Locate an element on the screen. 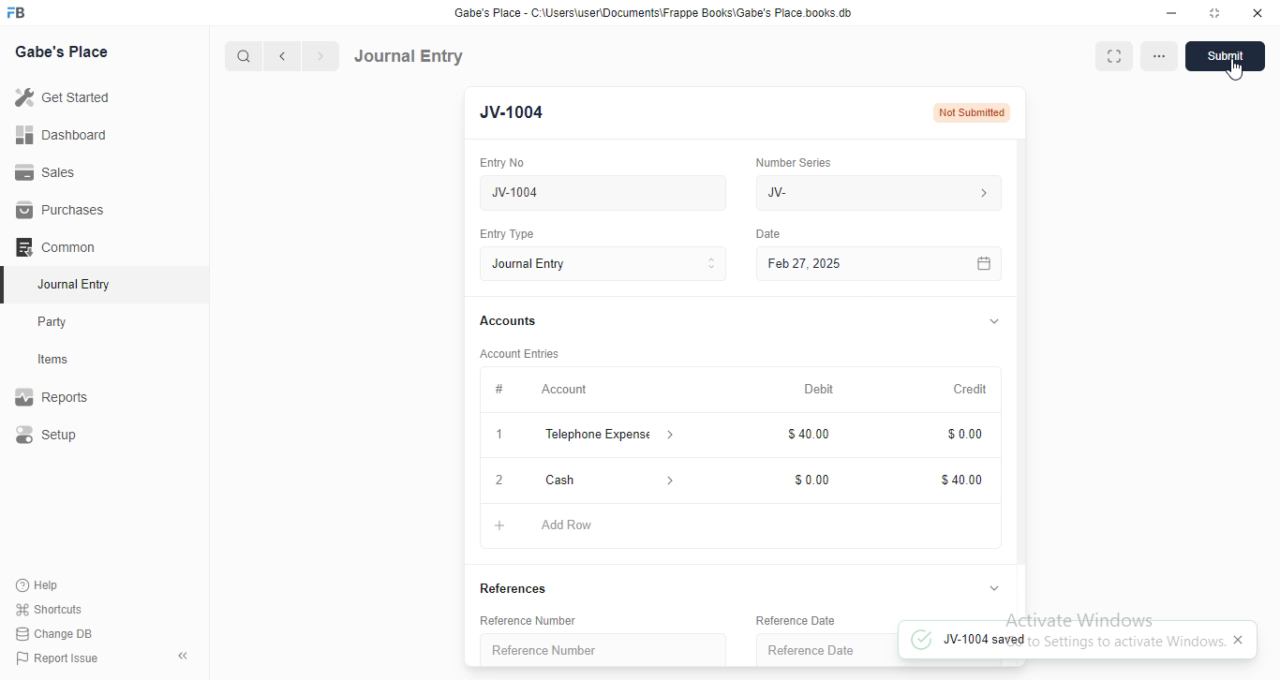  Cash is located at coordinates (609, 479).